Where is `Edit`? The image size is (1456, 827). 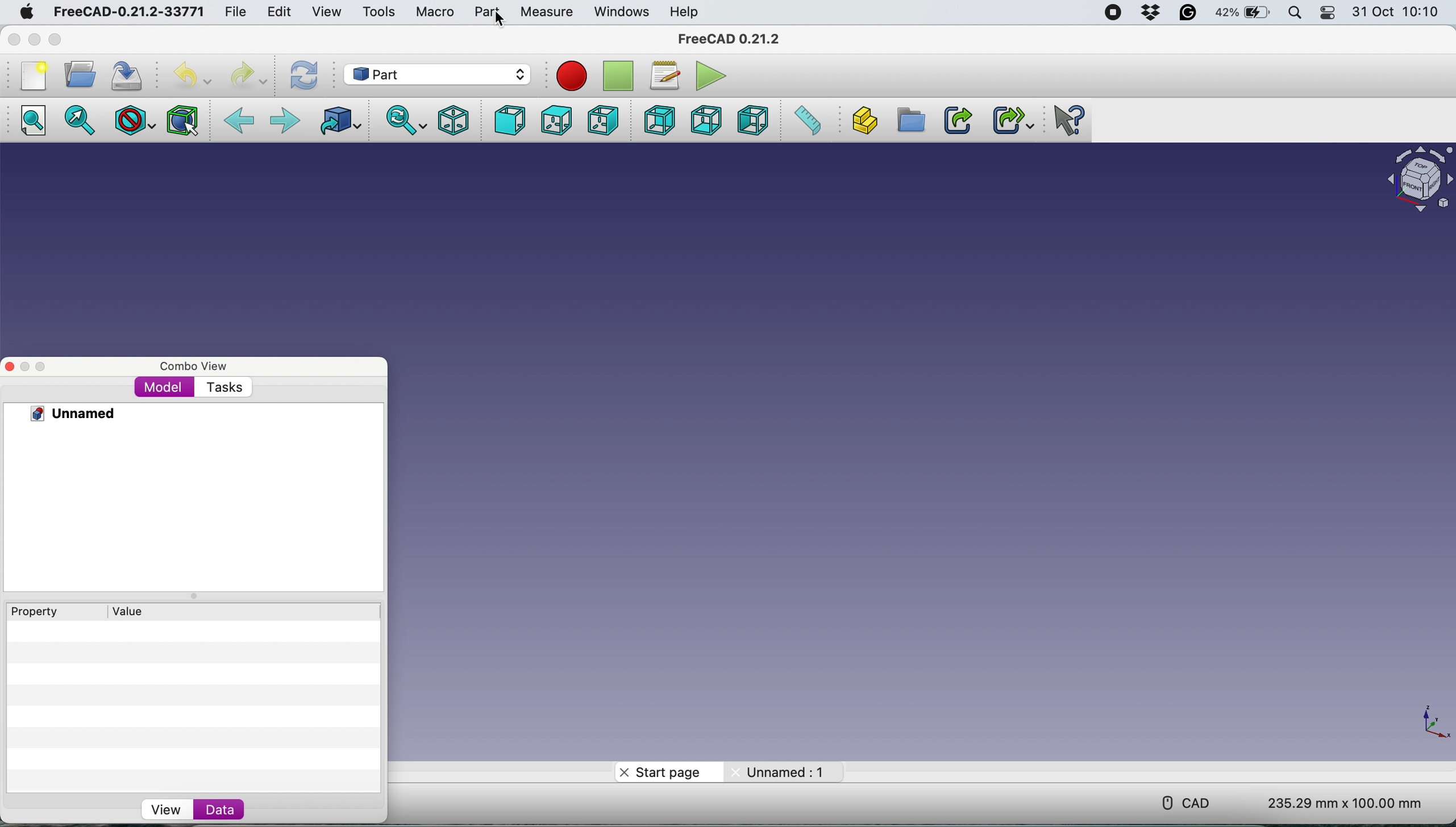
Edit is located at coordinates (281, 13).